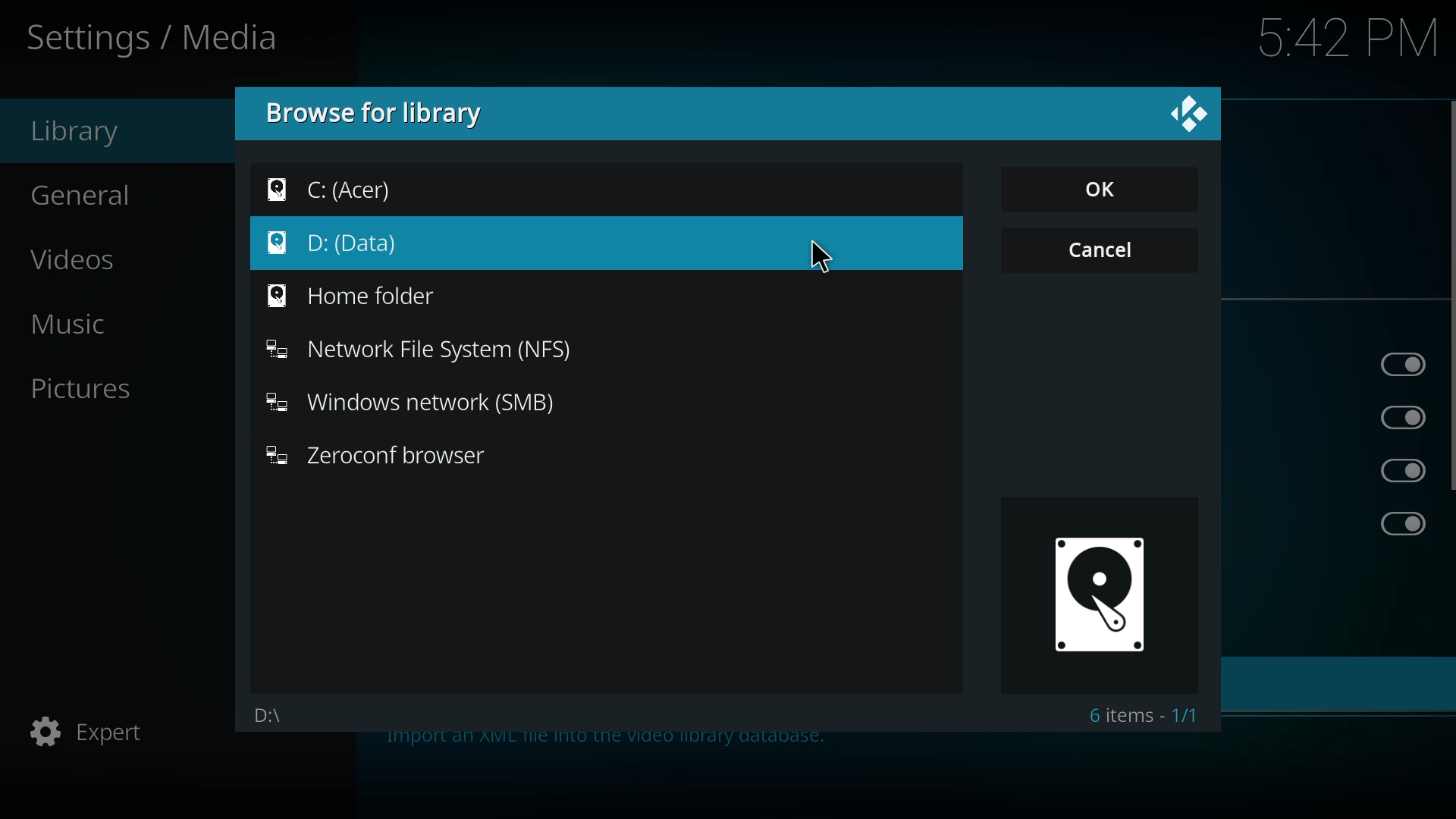  What do you see at coordinates (1093, 249) in the screenshot?
I see `cancel` at bounding box center [1093, 249].